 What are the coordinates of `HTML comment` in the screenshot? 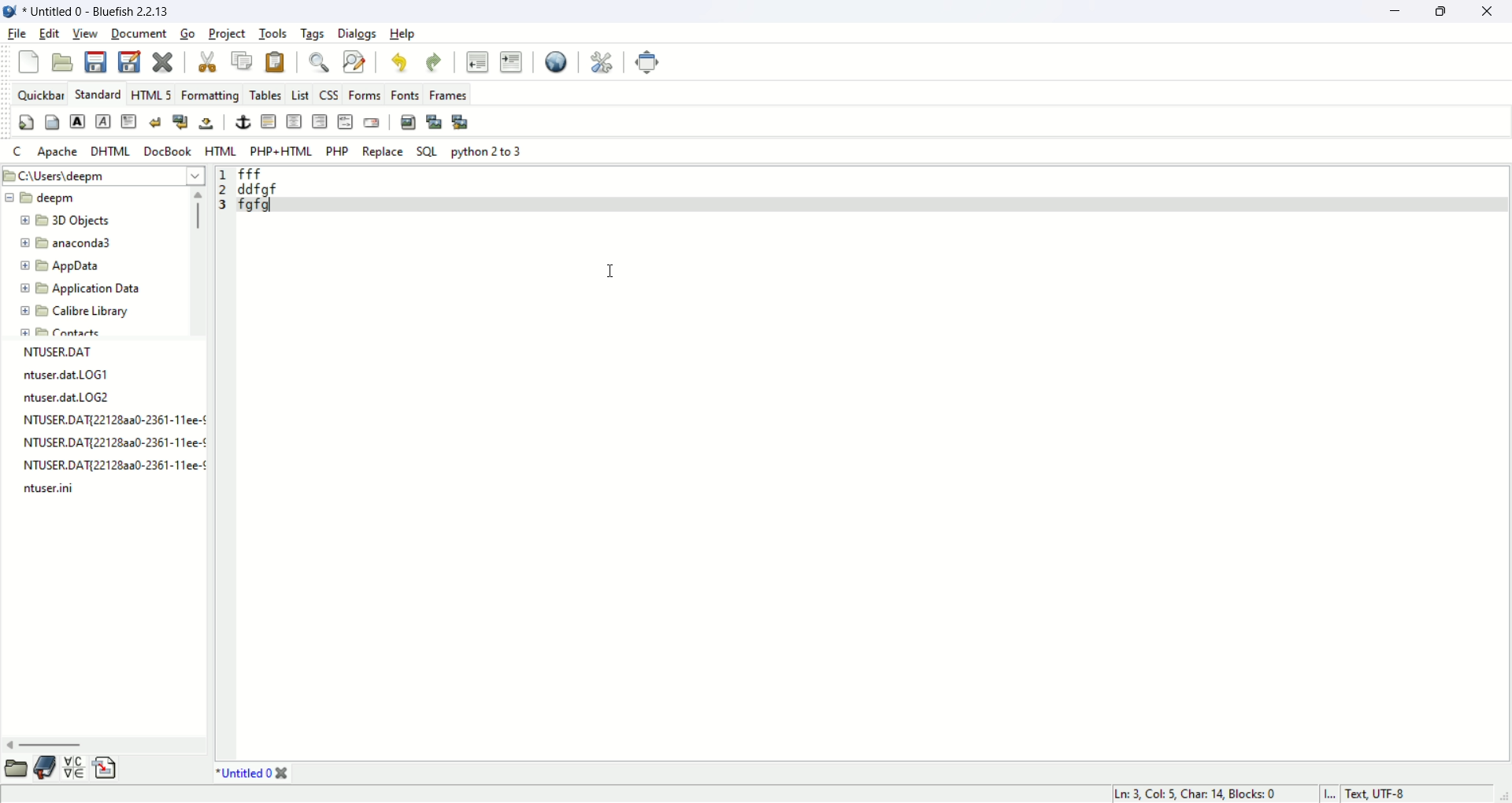 It's located at (341, 122).